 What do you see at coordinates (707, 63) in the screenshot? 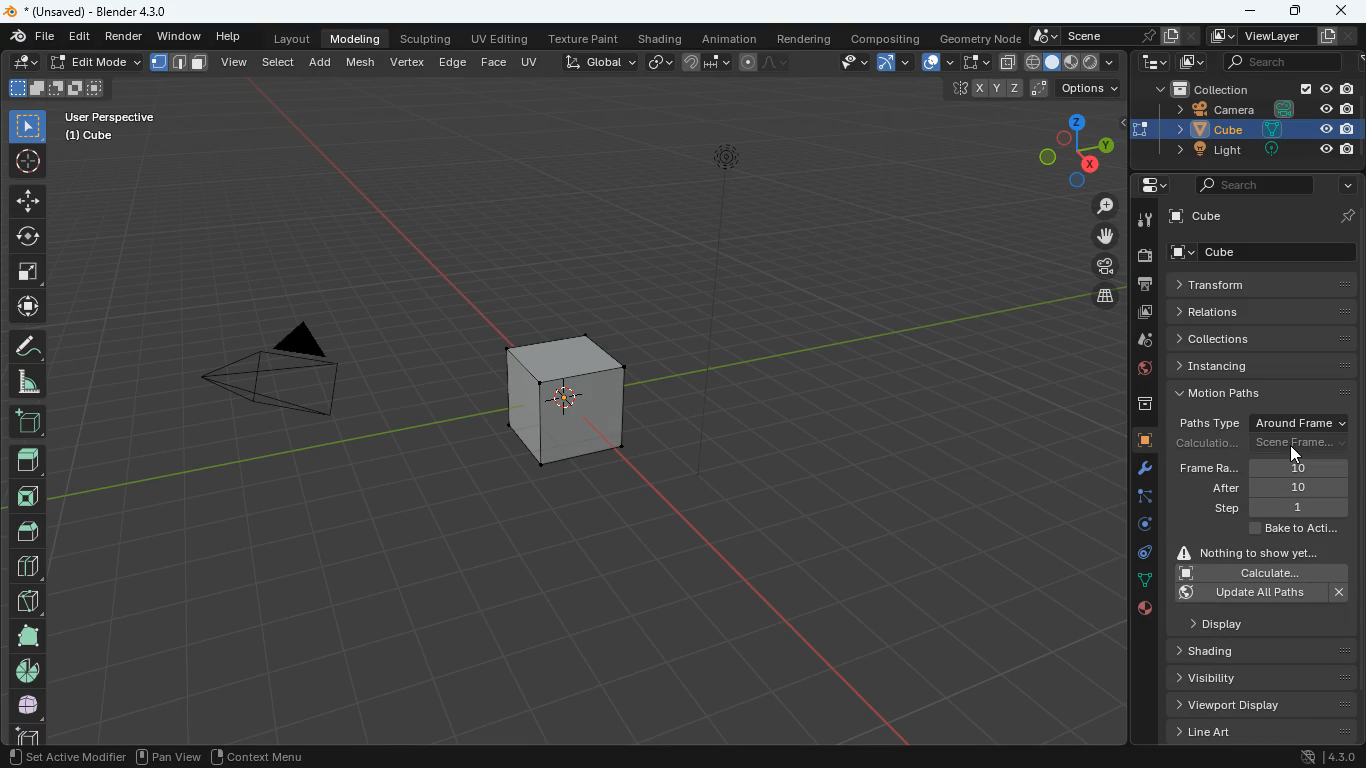
I see `join` at bounding box center [707, 63].